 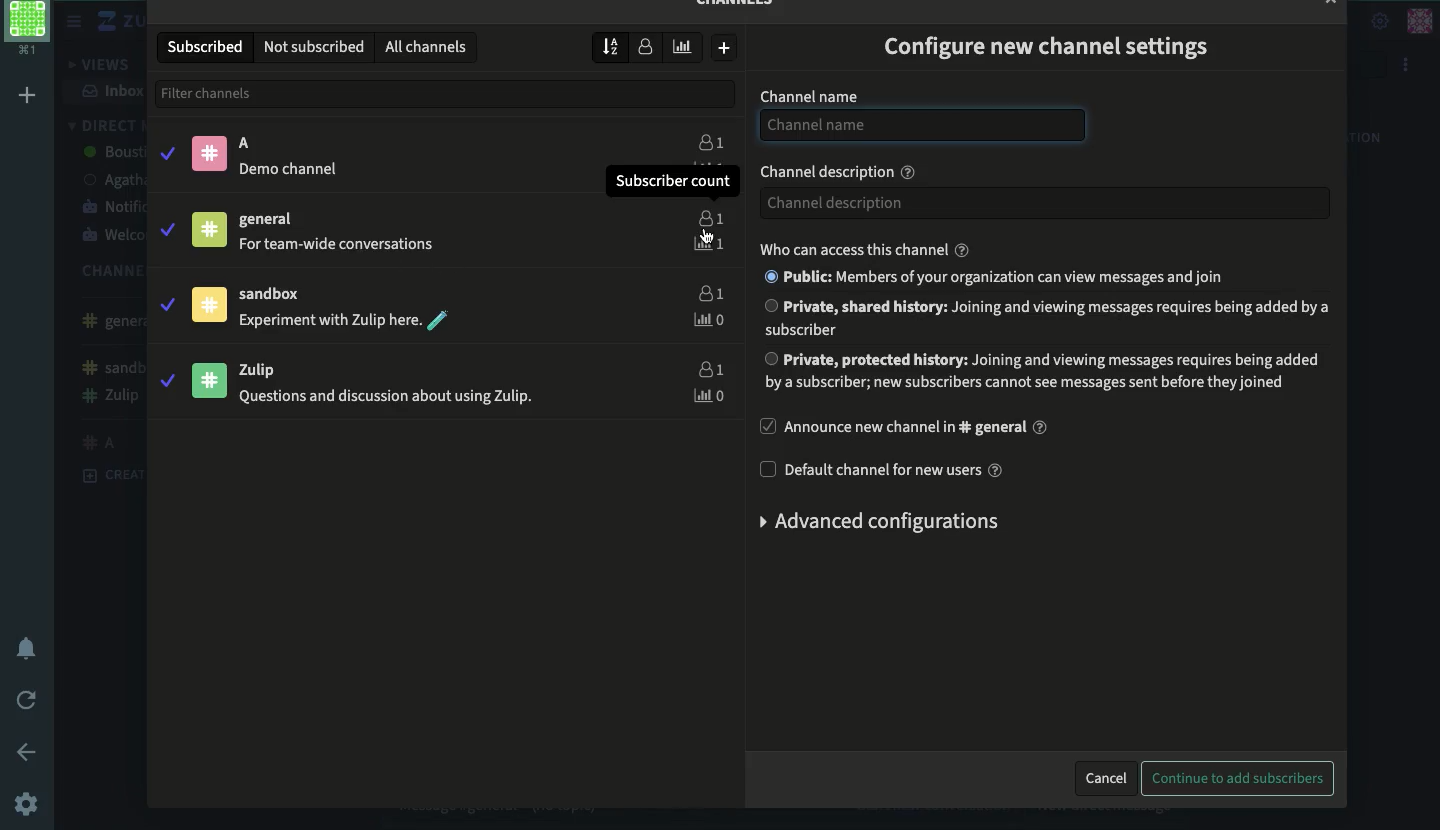 I want to click on announce new channel in general, so click(x=909, y=428).